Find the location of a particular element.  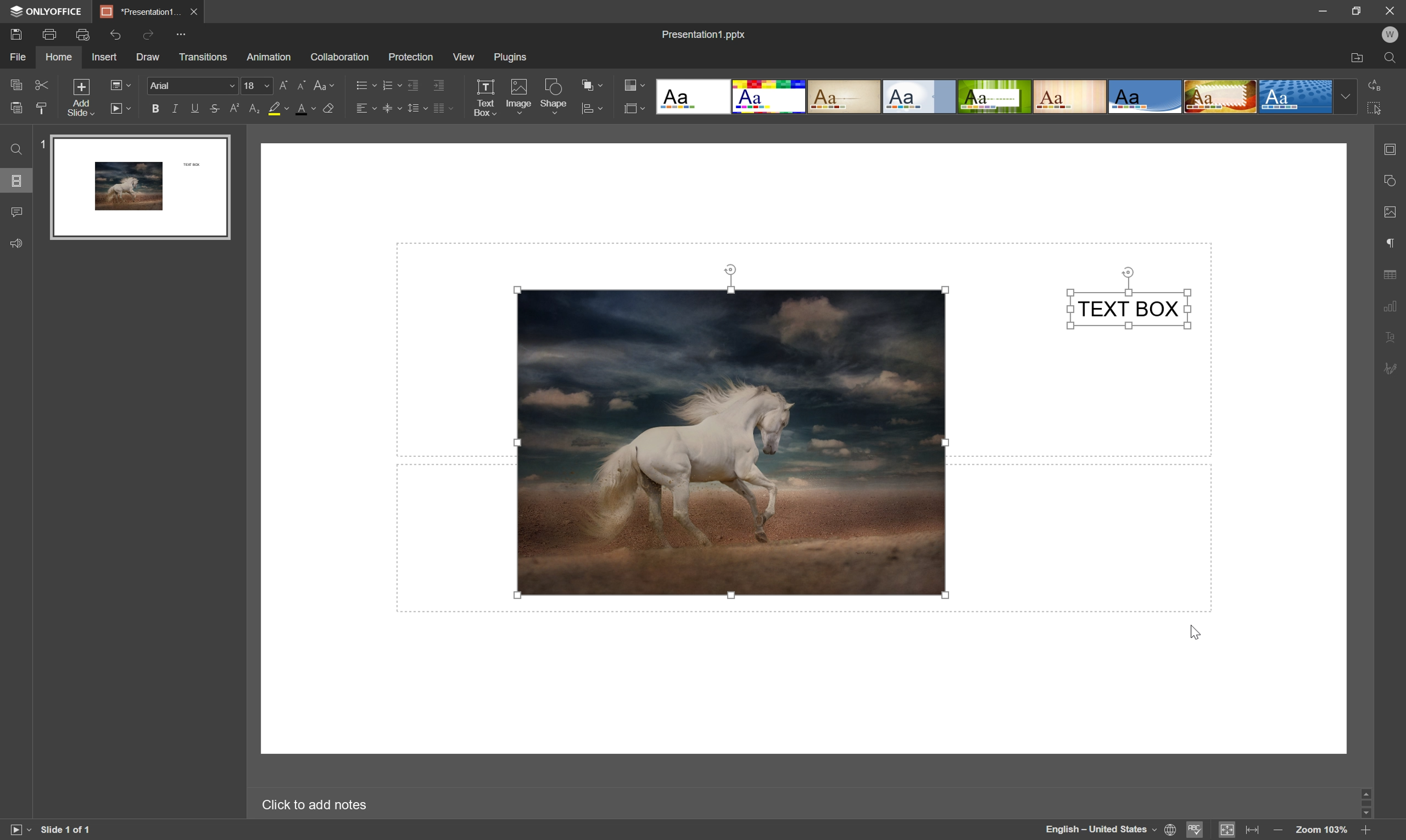

protection is located at coordinates (409, 57).